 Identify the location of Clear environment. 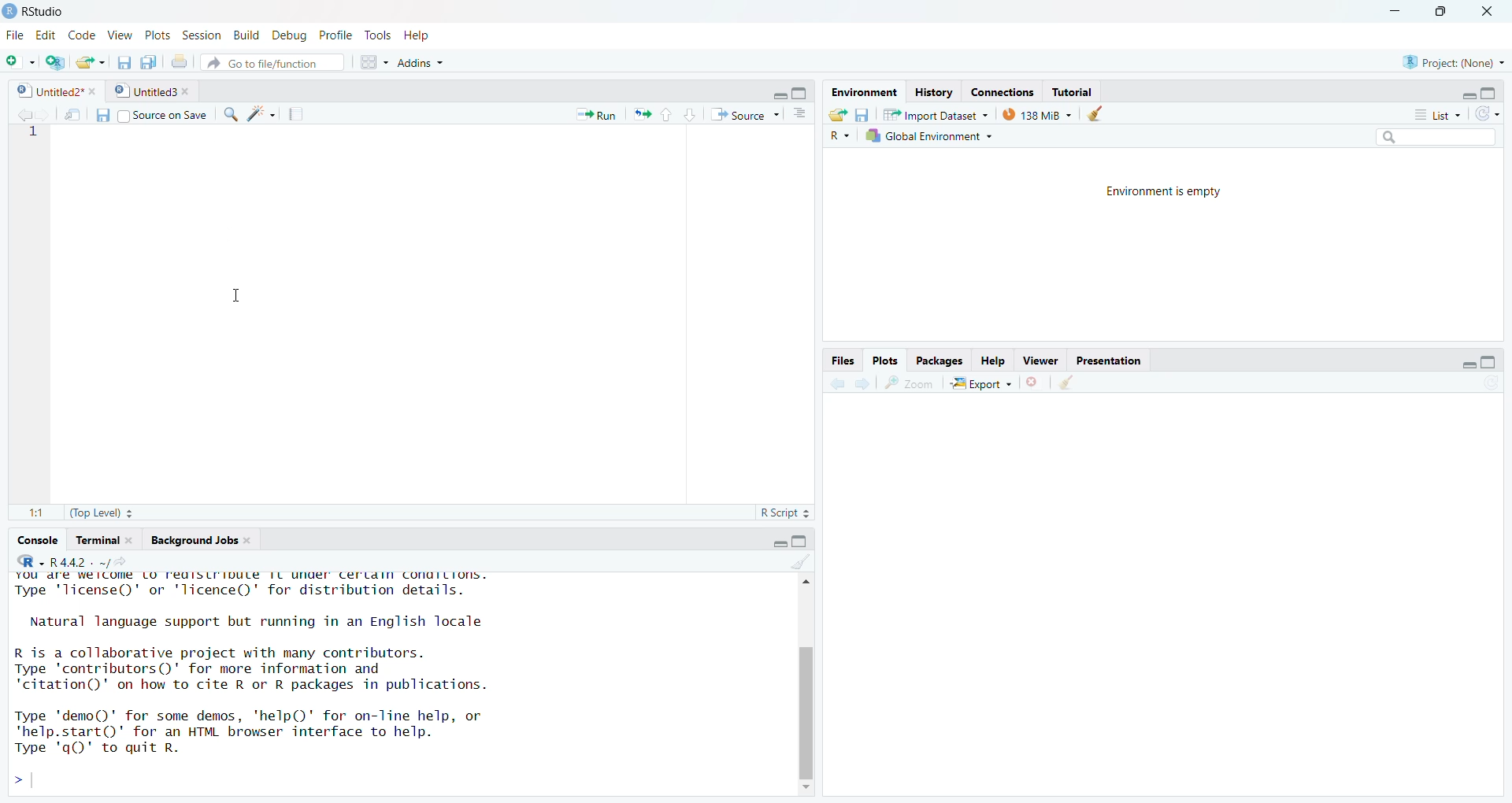
(1099, 113).